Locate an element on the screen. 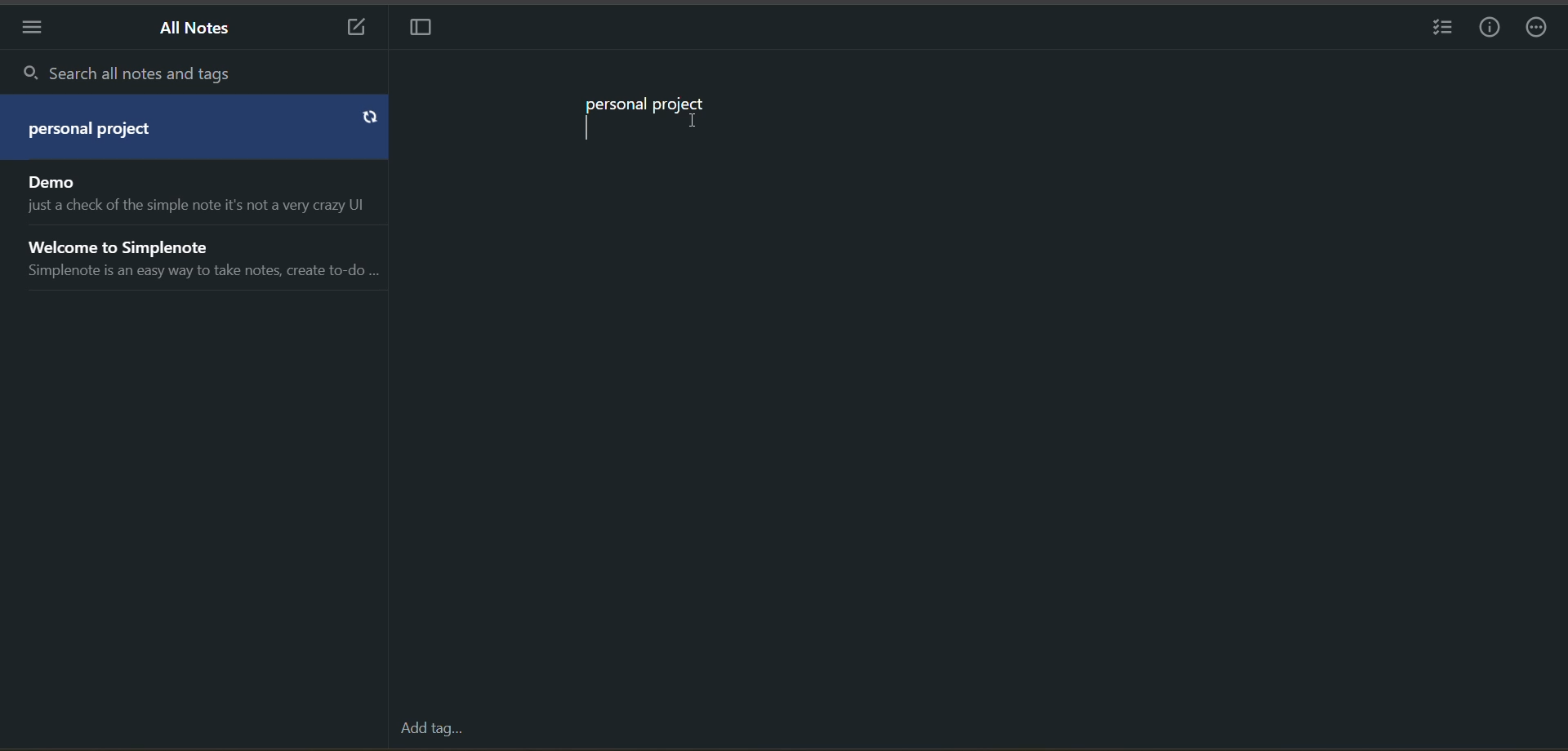 The height and width of the screenshot is (751, 1568). Text cursor is located at coordinates (697, 122).